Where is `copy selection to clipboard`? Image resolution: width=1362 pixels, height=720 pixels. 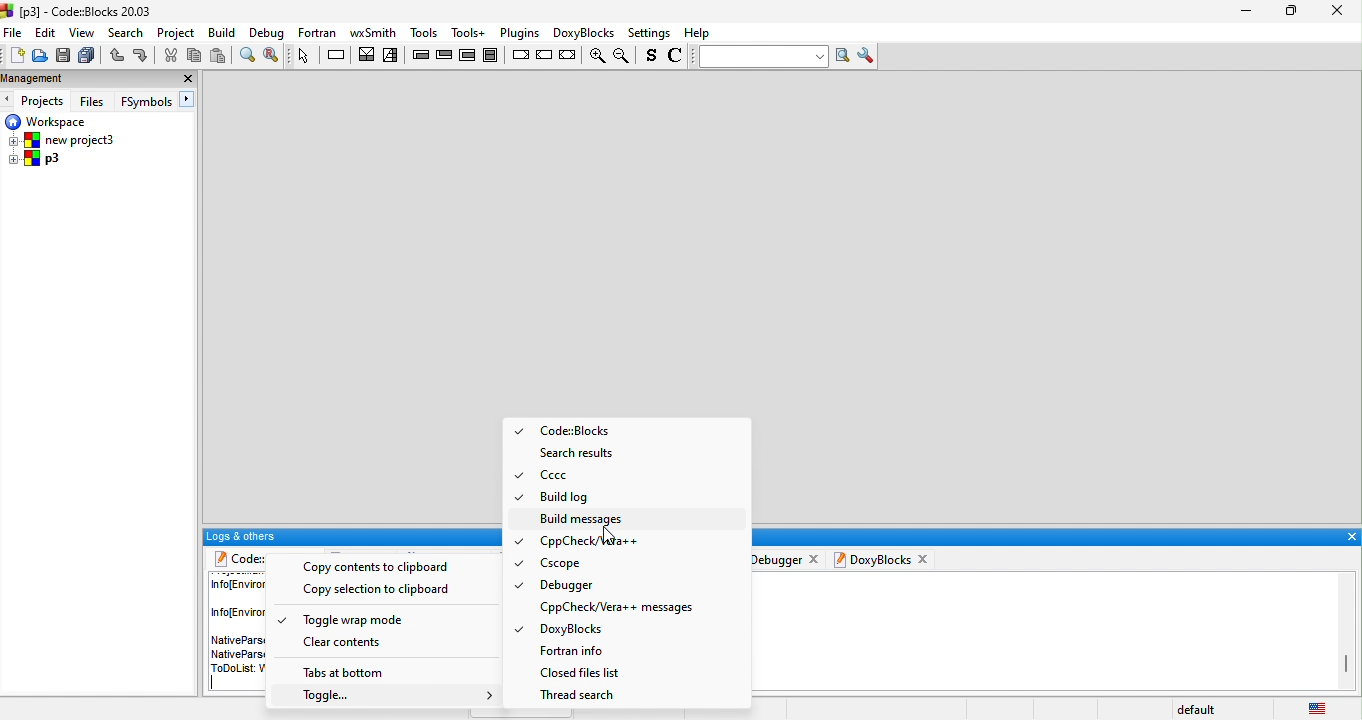 copy selection to clipboard is located at coordinates (386, 591).